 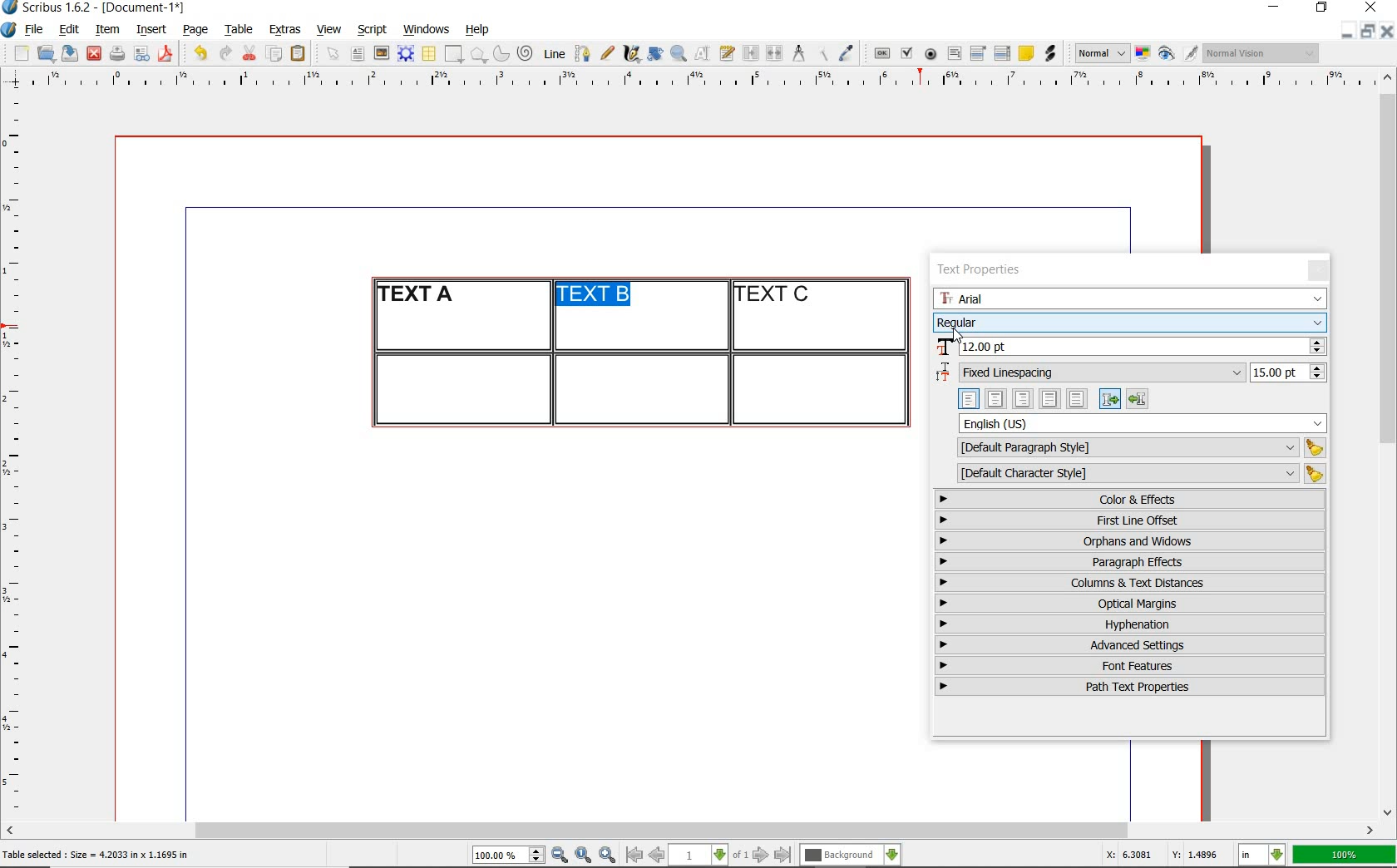 I want to click on select the current layer, so click(x=851, y=856).